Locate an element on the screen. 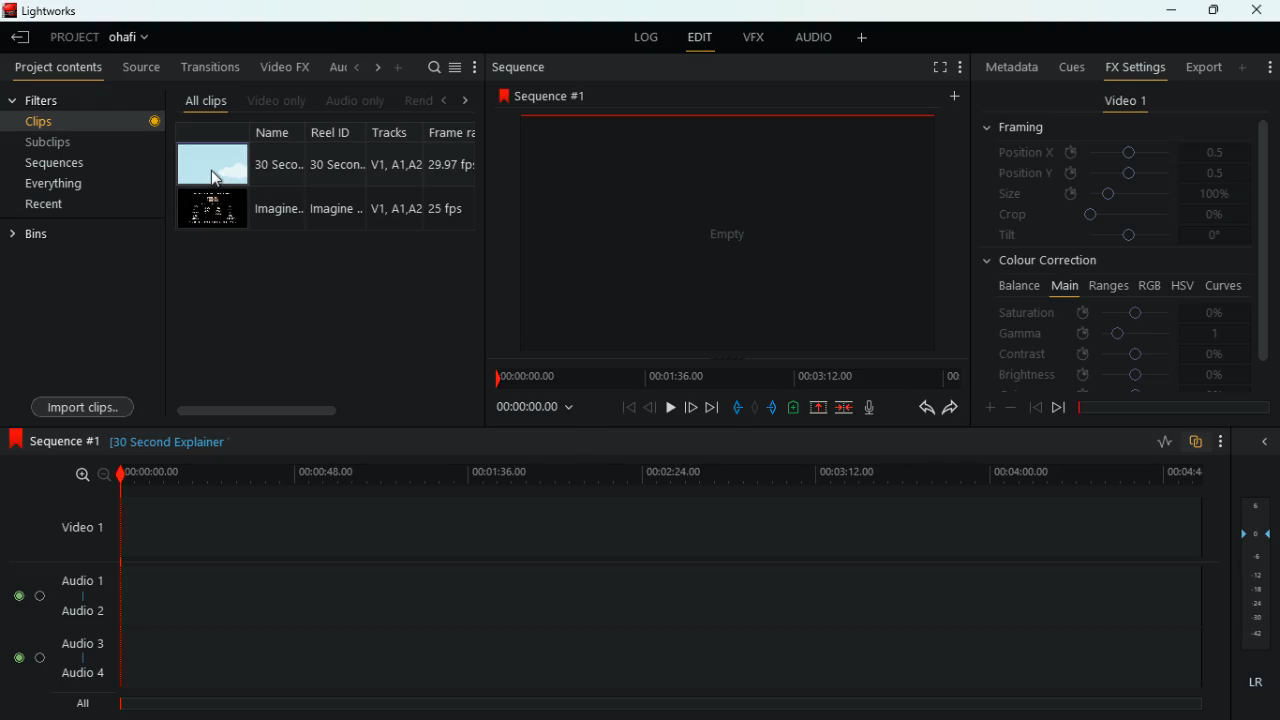 The image size is (1280, 720). plus is located at coordinates (985, 406).